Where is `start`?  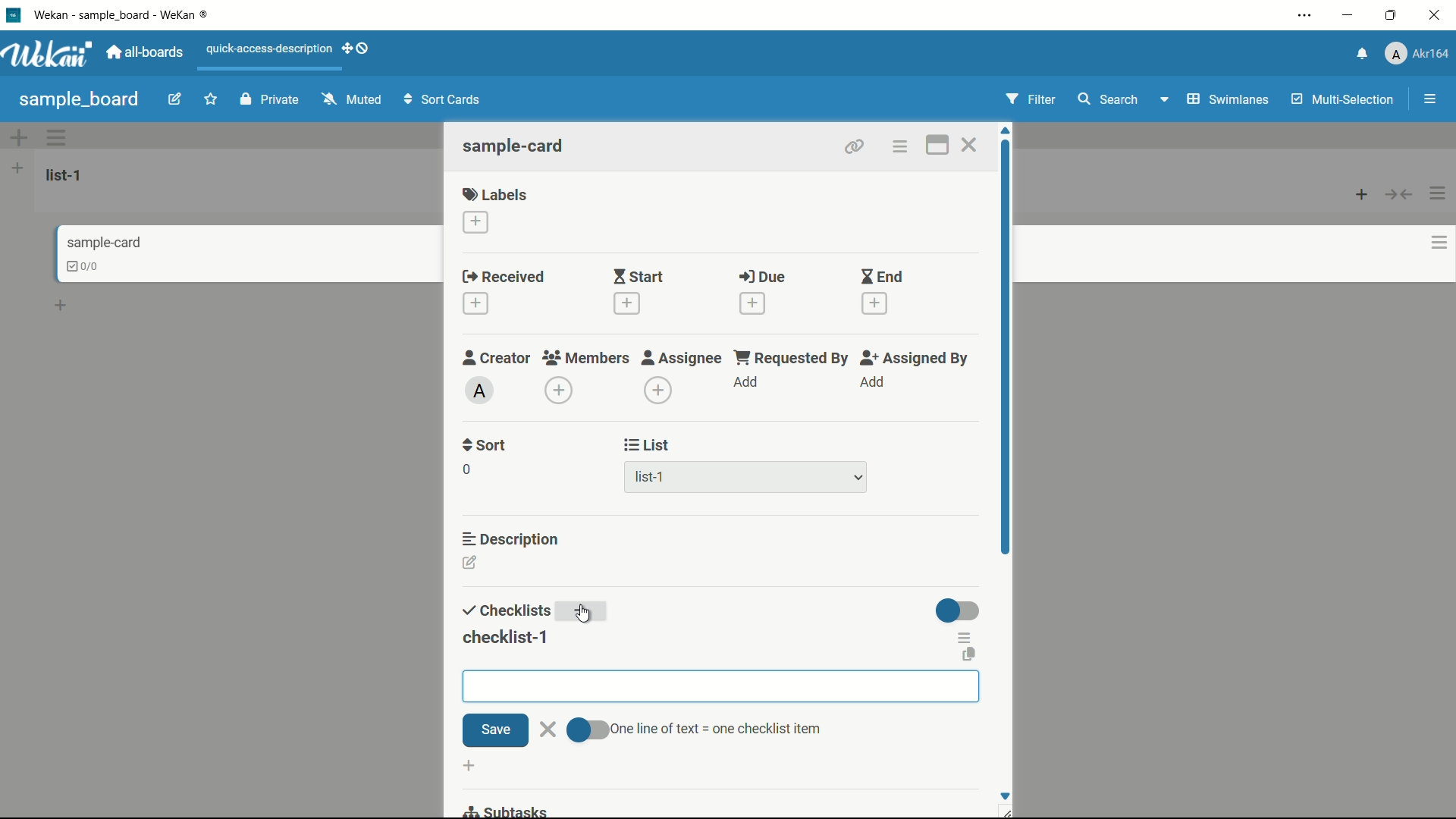
start is located at coordinates (638, 278).